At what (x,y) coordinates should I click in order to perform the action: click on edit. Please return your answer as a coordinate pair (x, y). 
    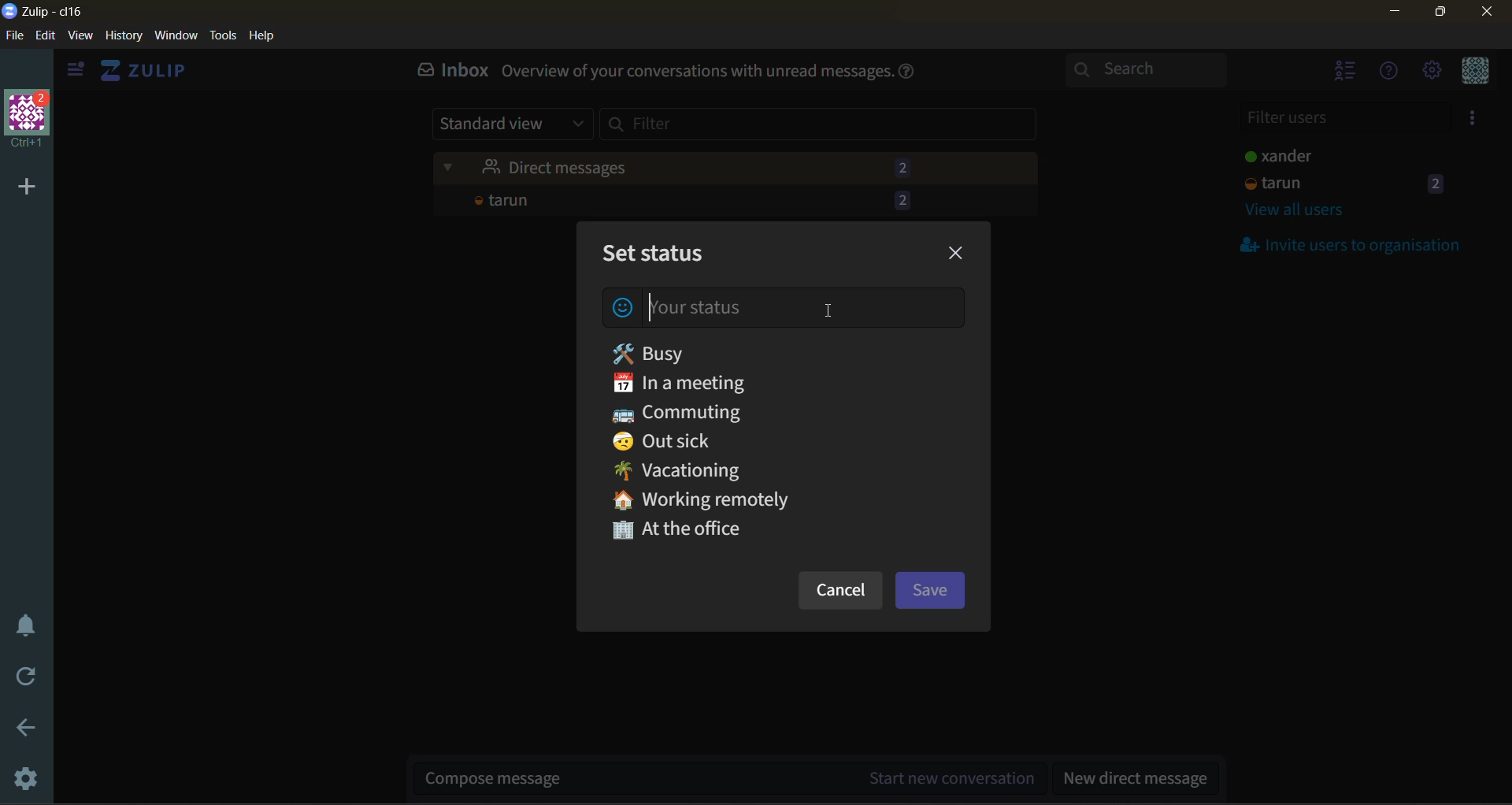
    Looking at the image, I should click on (50, 36).